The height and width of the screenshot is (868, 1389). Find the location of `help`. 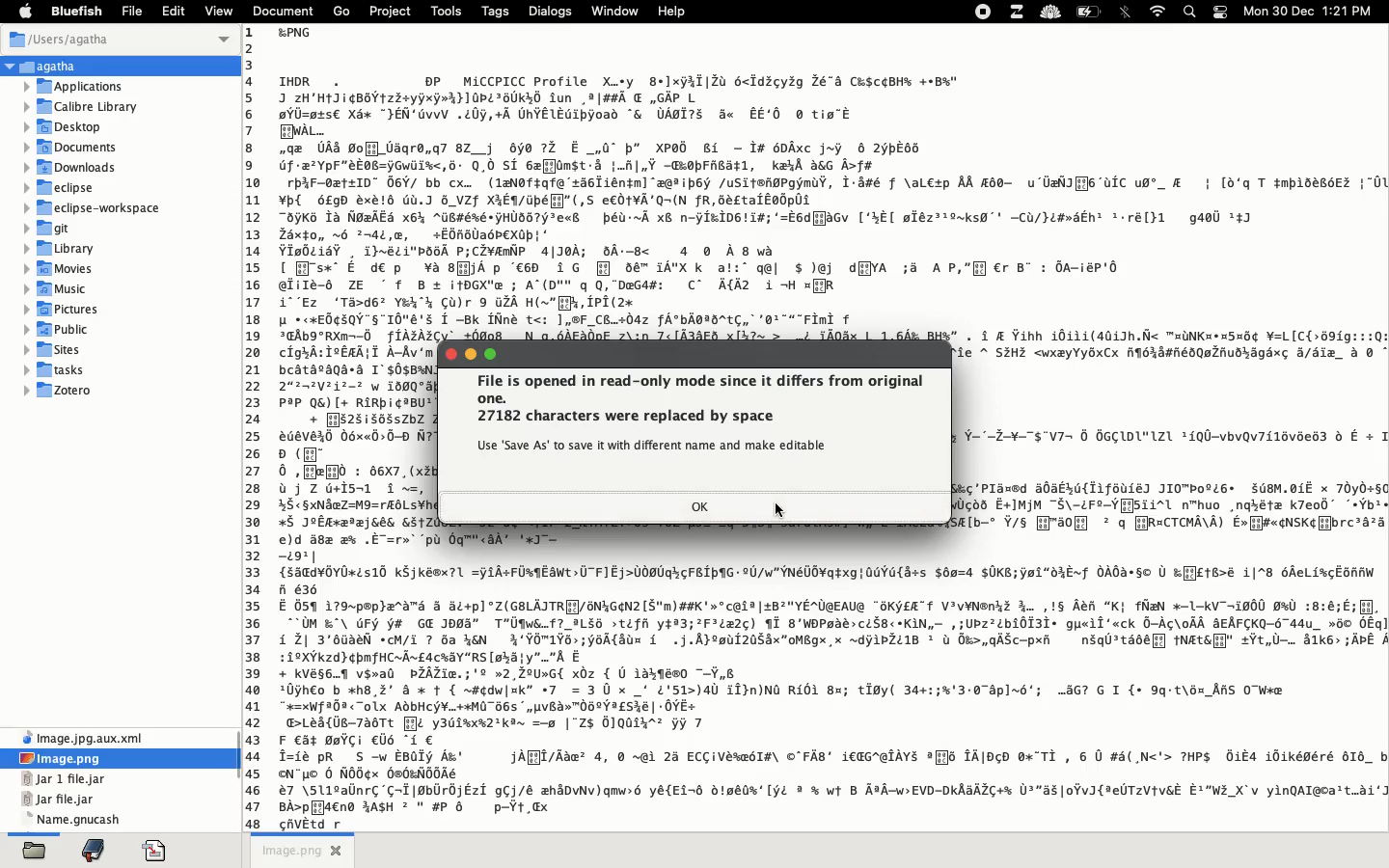

help is located at coordinates (674, 12).